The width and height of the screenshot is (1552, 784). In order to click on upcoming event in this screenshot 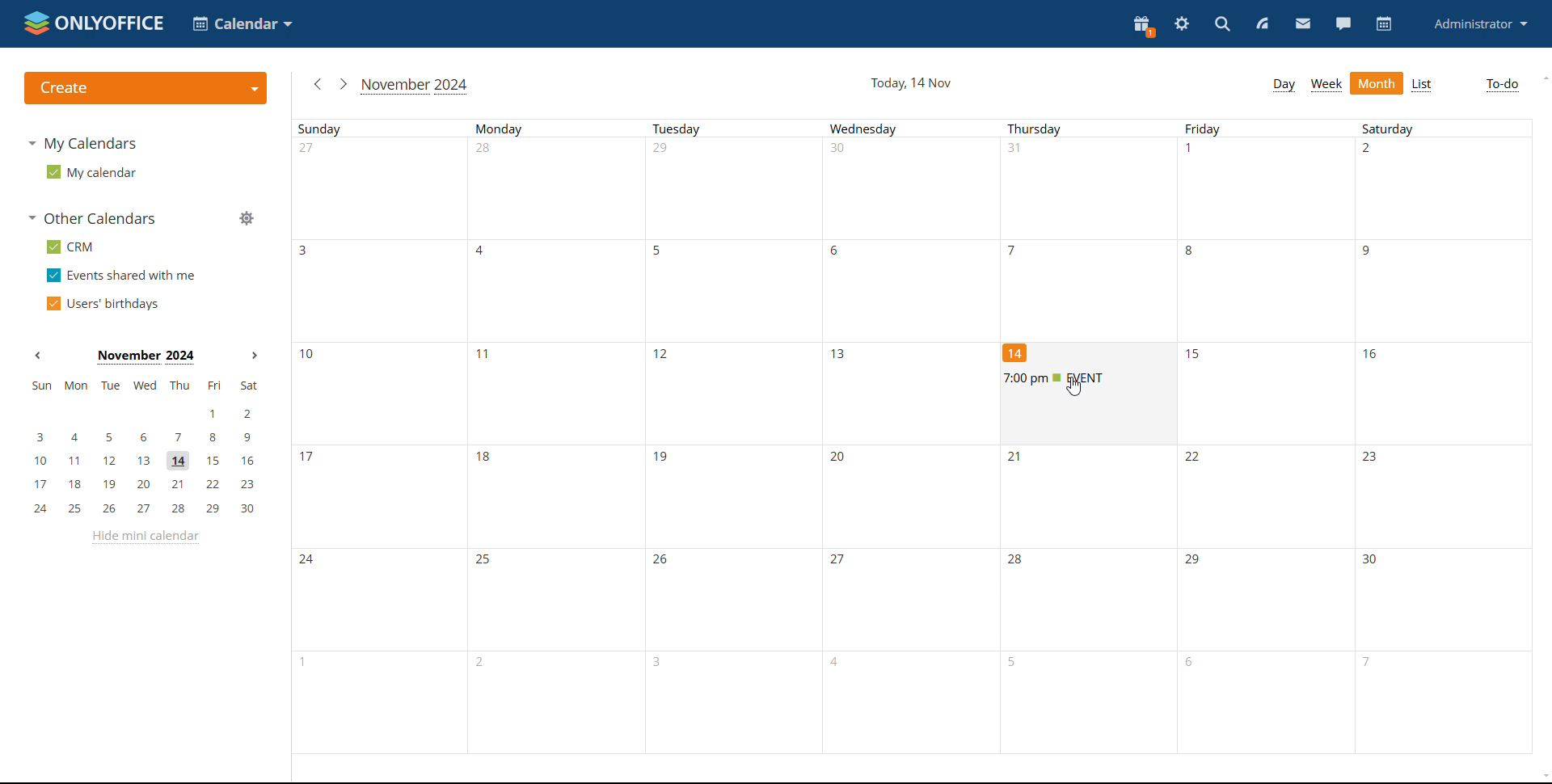, I will do `click(1086, 377)`.